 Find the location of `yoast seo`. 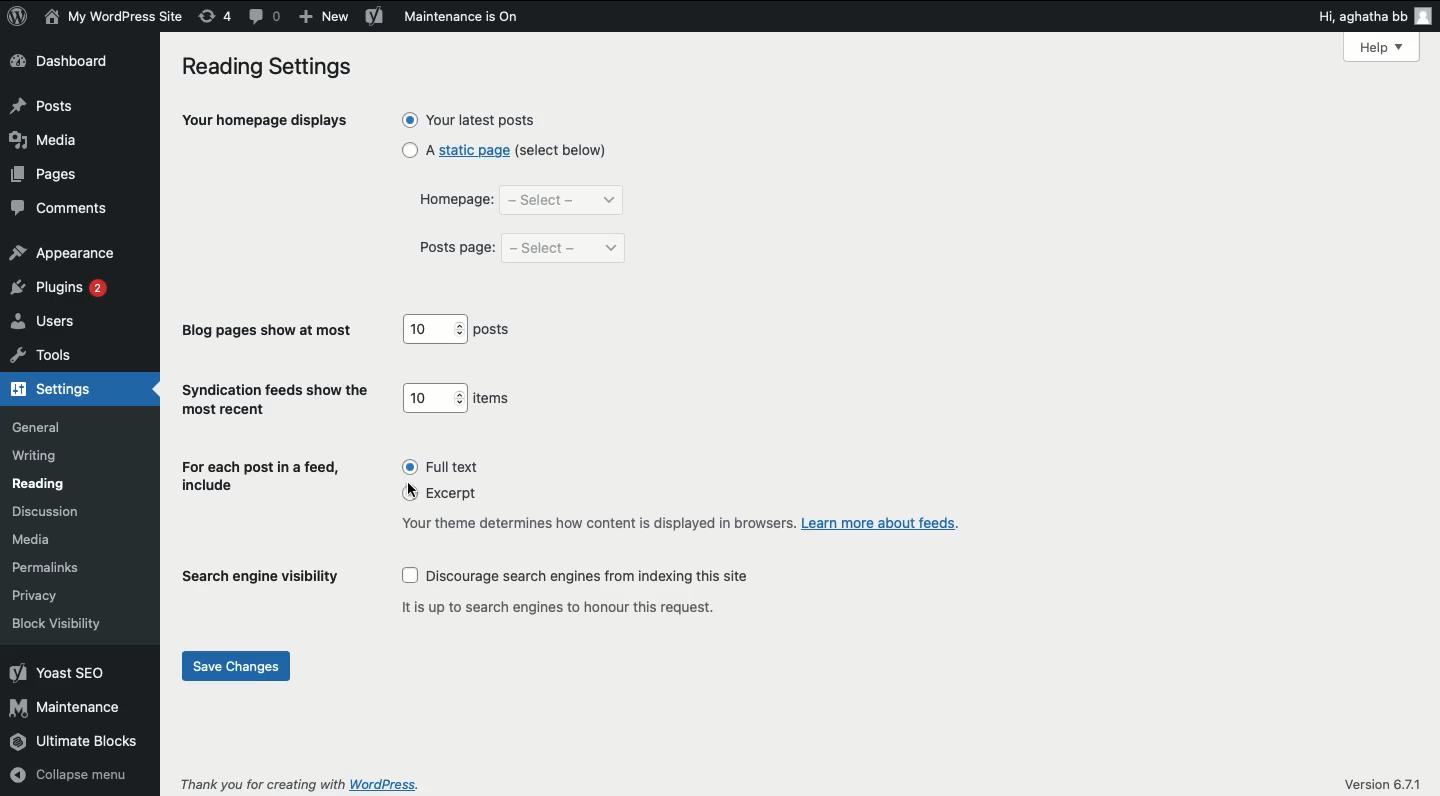

yoast seo is located at coordinates (374, 16).